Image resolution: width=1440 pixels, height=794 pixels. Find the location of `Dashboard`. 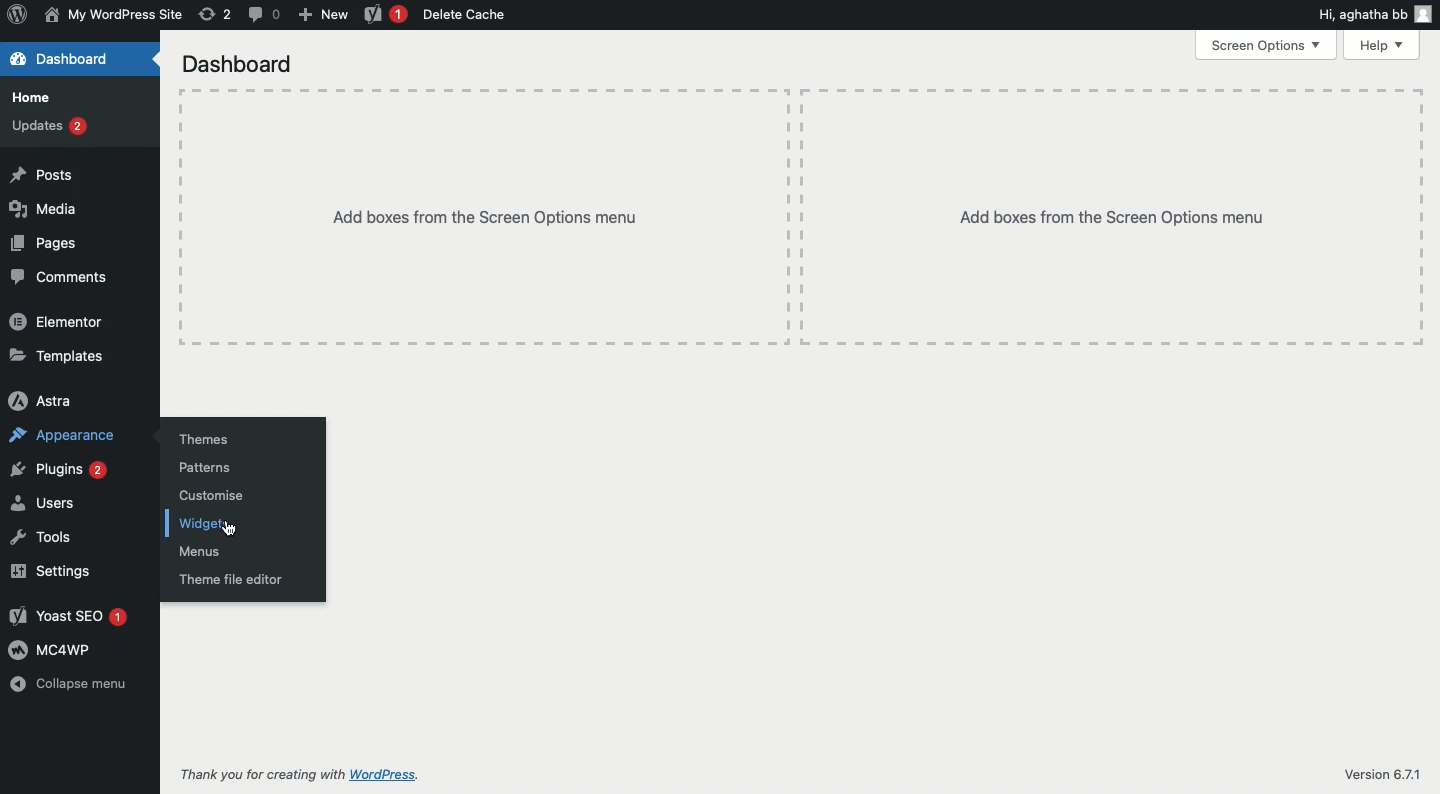

Dashboard is located at coordinates (67, 59).